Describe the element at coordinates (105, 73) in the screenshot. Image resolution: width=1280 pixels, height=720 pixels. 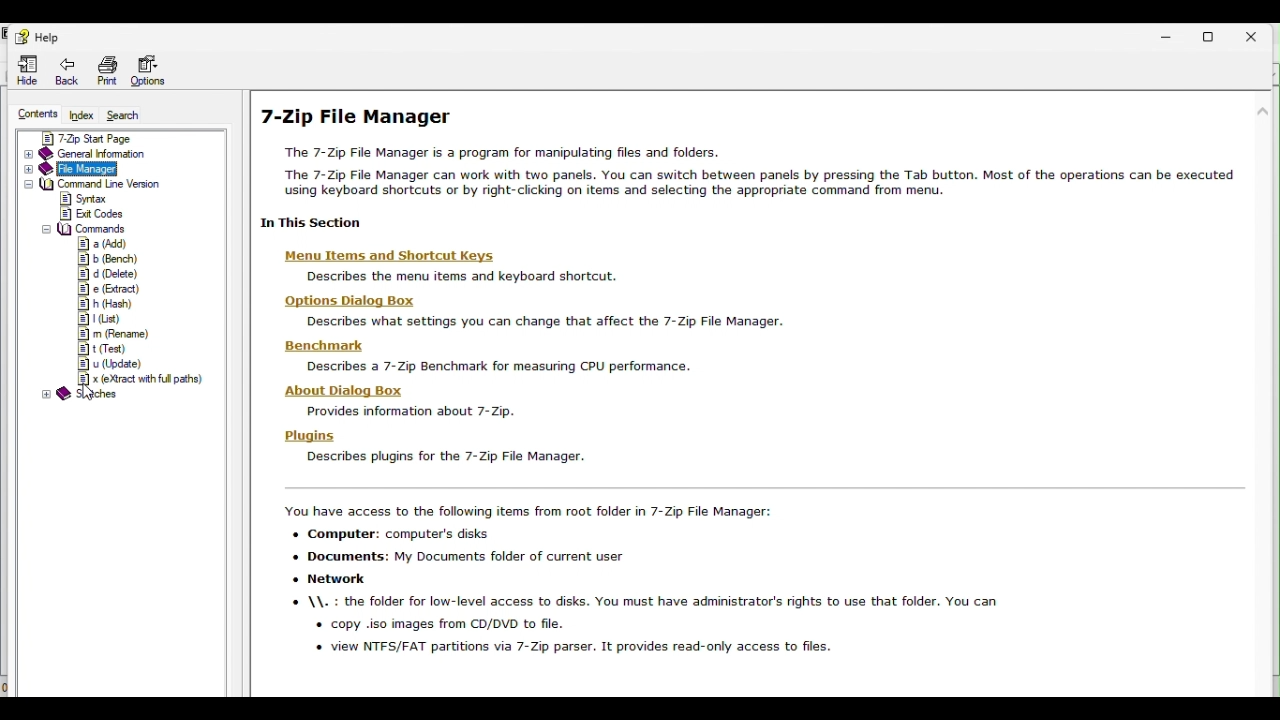
I see `Print` at that location.